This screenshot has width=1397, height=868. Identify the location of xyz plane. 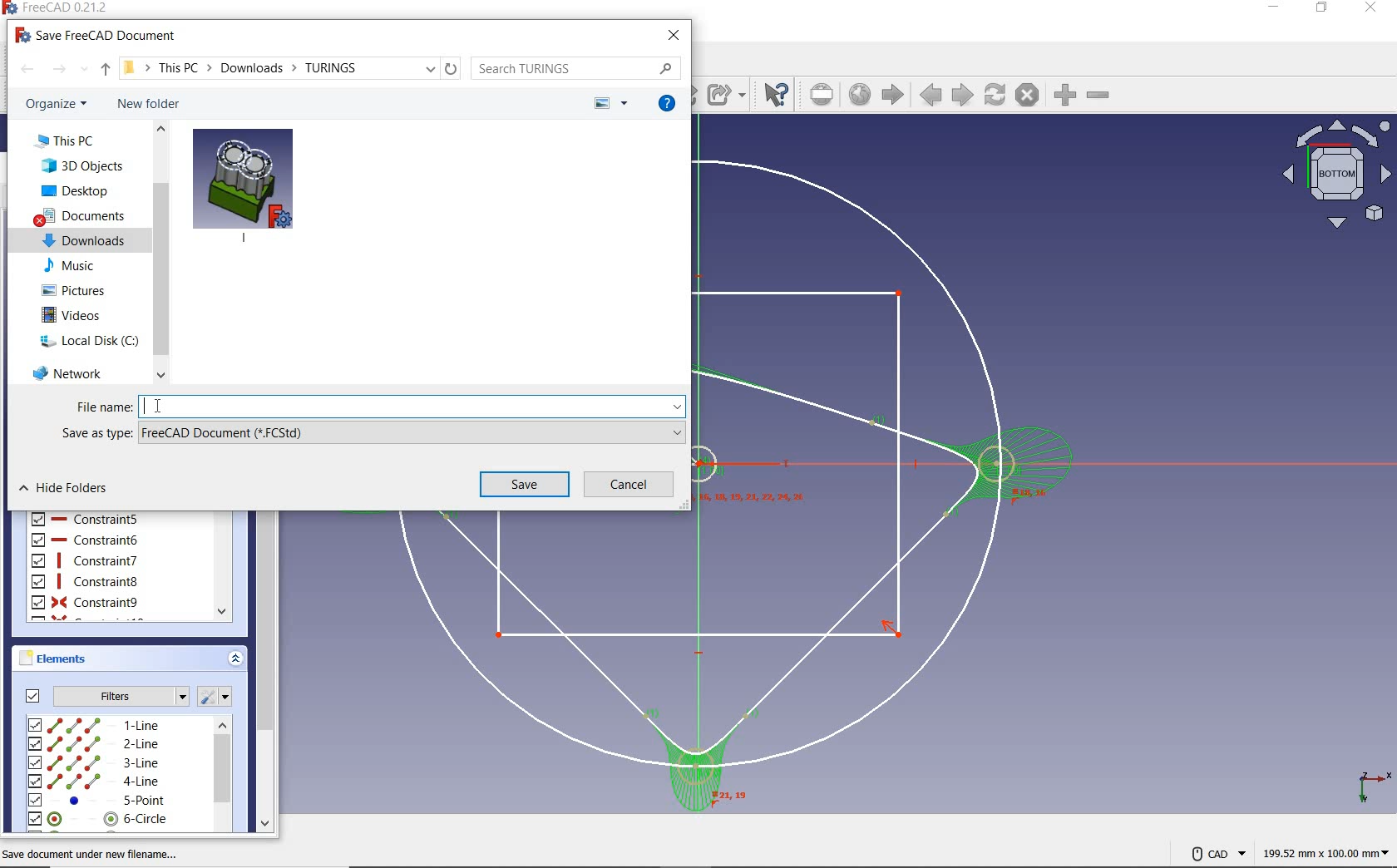
(1368, 784).